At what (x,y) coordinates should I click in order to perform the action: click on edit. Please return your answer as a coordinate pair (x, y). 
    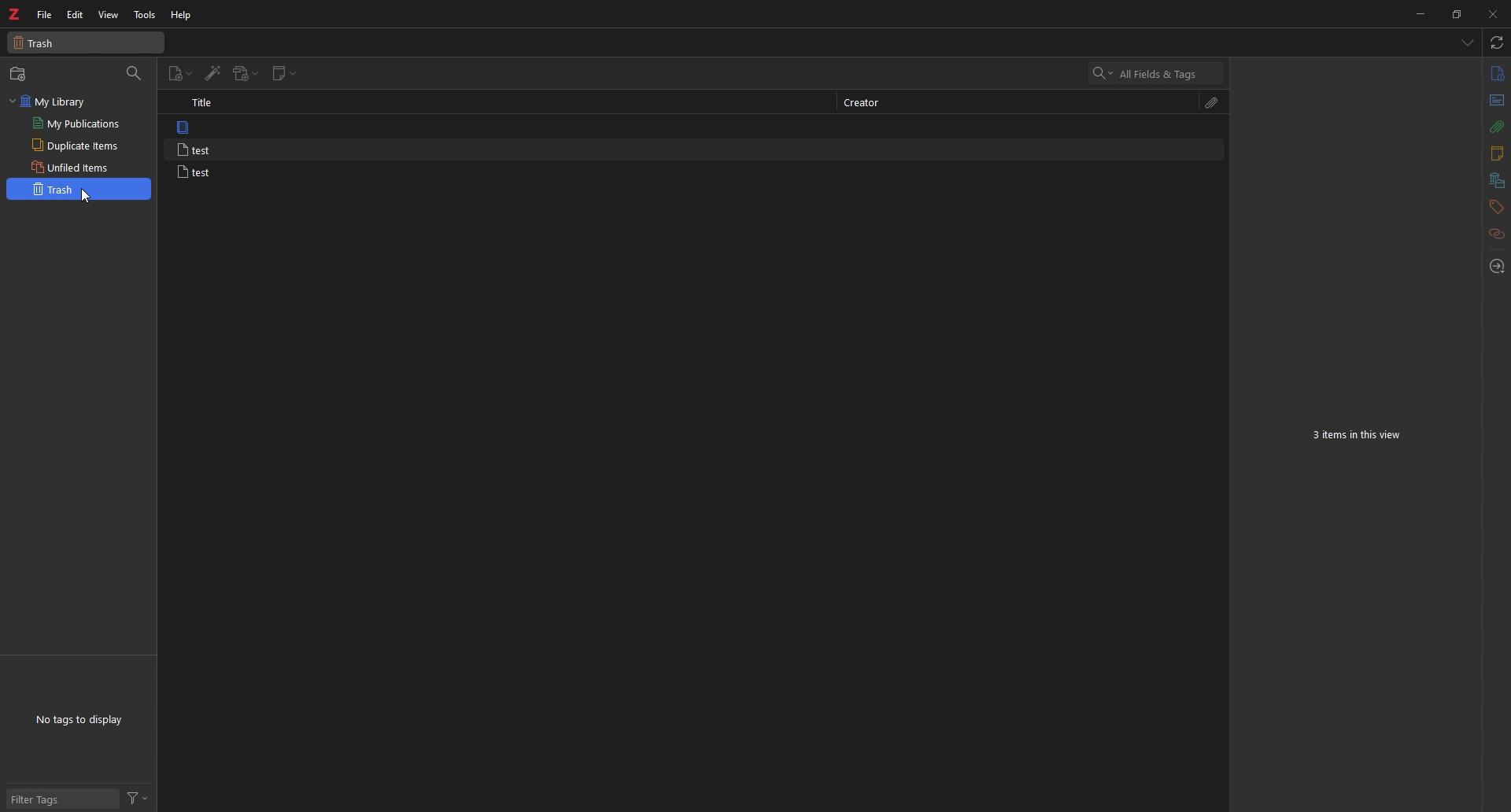
    Looking at the image, I should click on (76, 15).